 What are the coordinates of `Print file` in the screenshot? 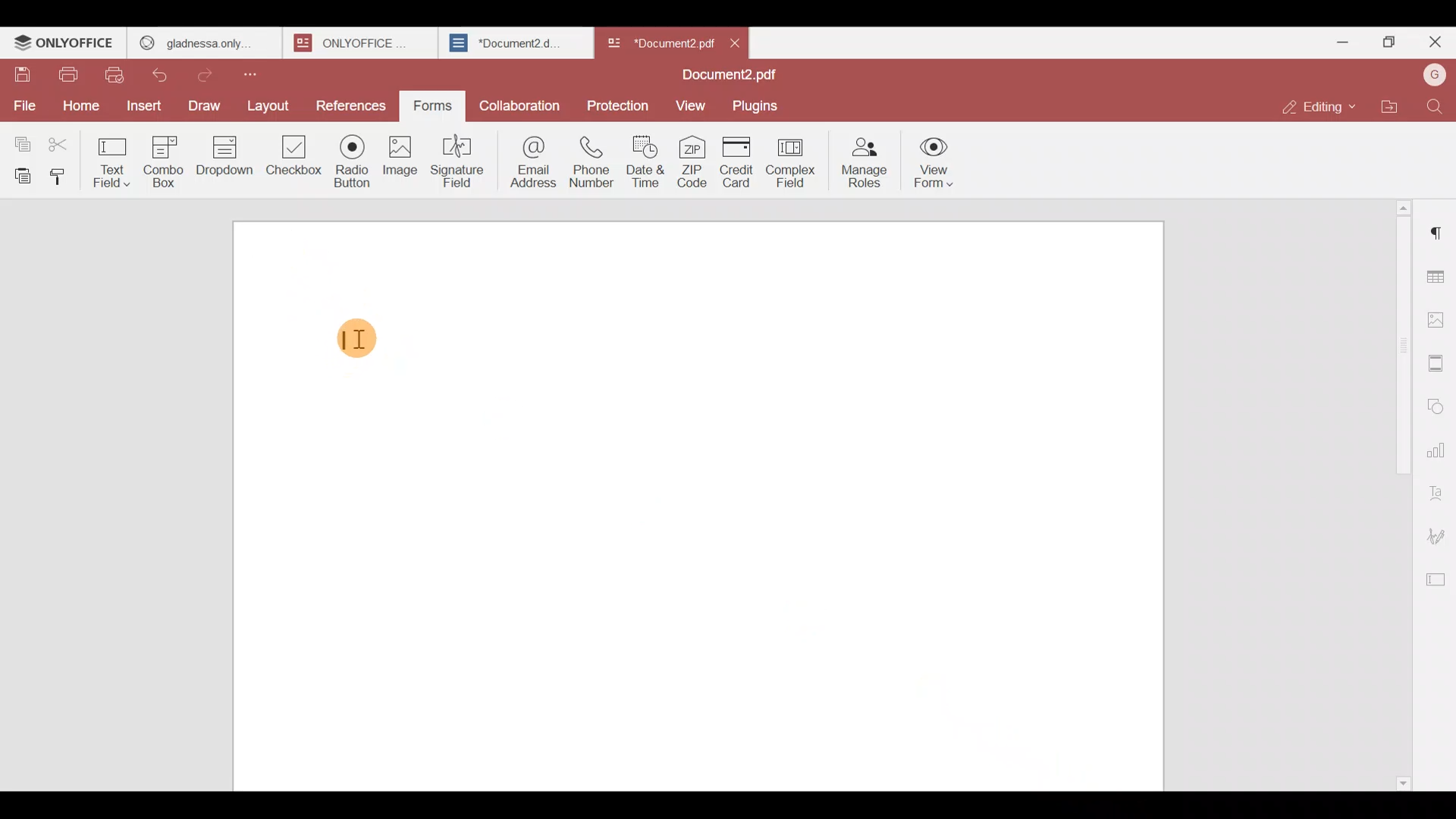 It's located at (63, 71).